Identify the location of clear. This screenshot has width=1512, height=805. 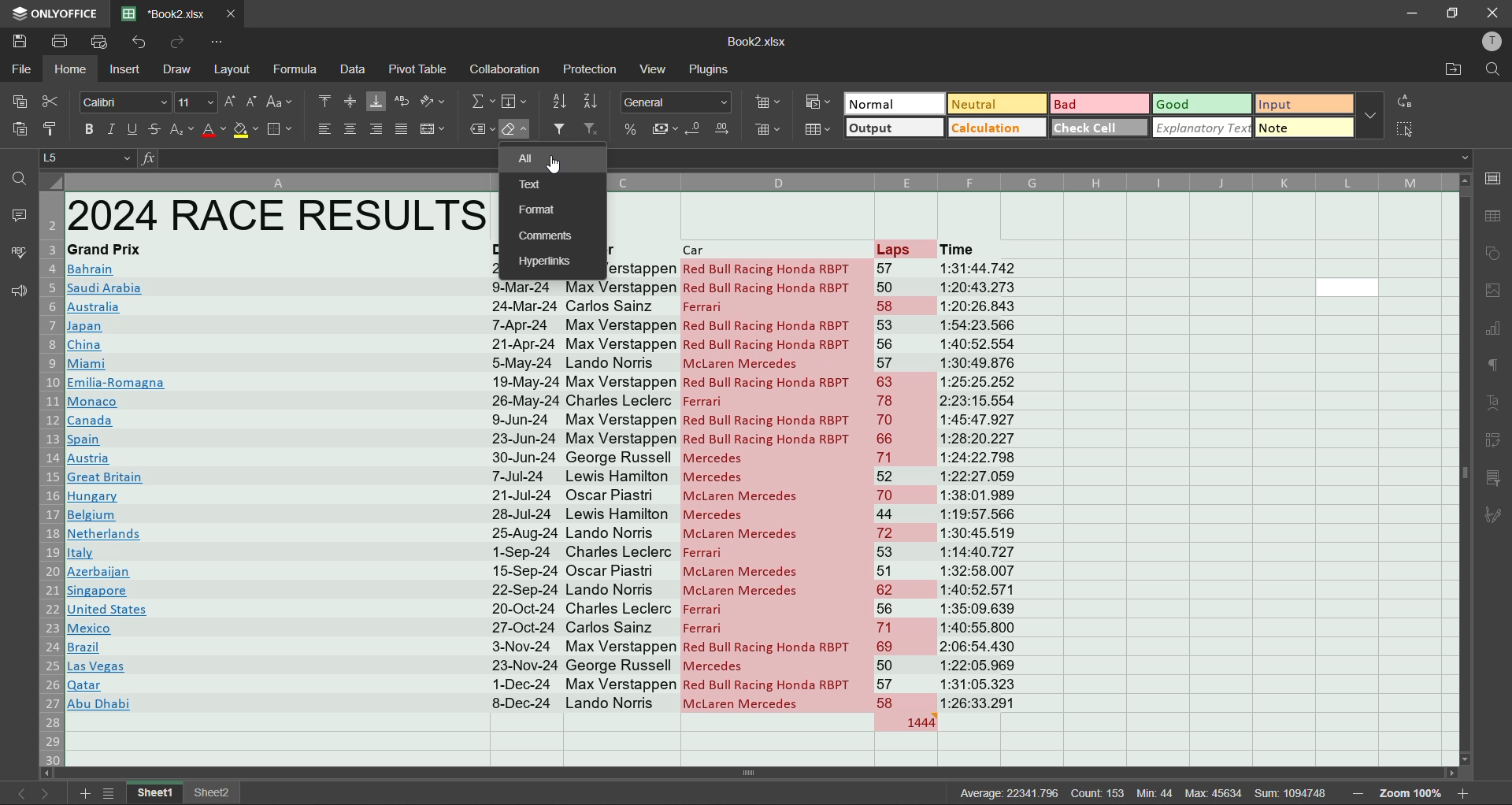
(518, 133).